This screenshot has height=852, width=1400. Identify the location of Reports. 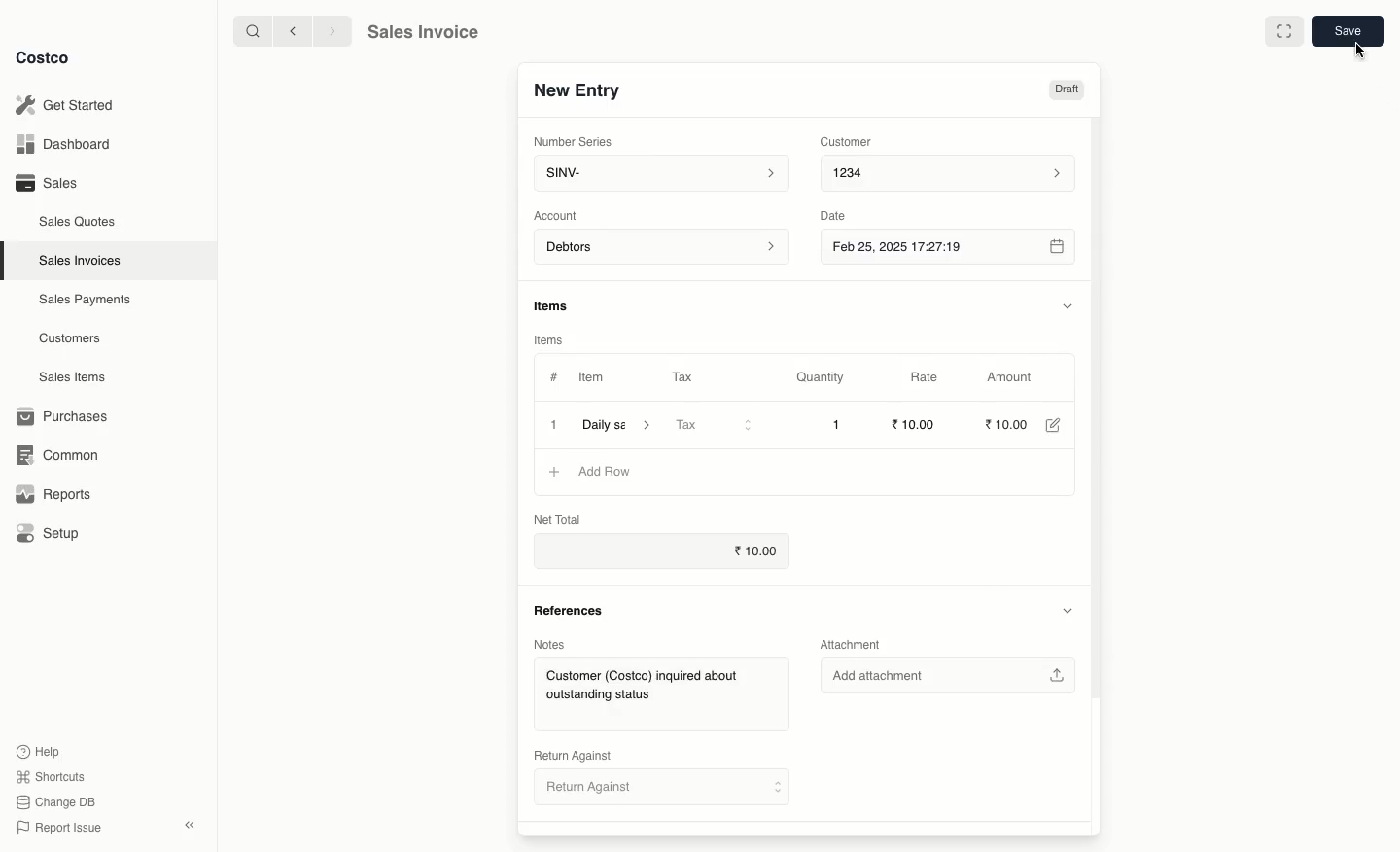
(53, 496).